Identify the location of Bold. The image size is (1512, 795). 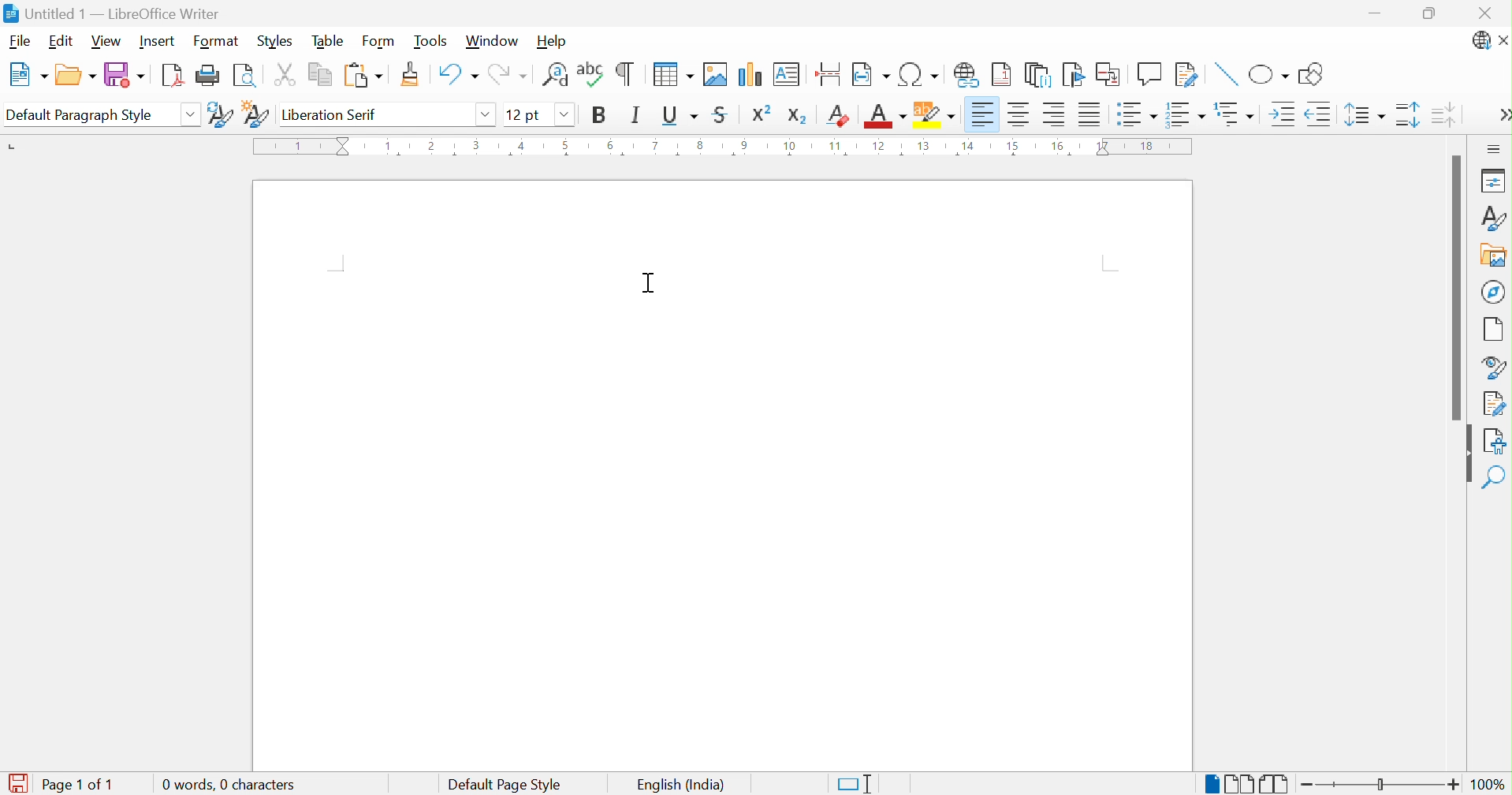
(602, 115).